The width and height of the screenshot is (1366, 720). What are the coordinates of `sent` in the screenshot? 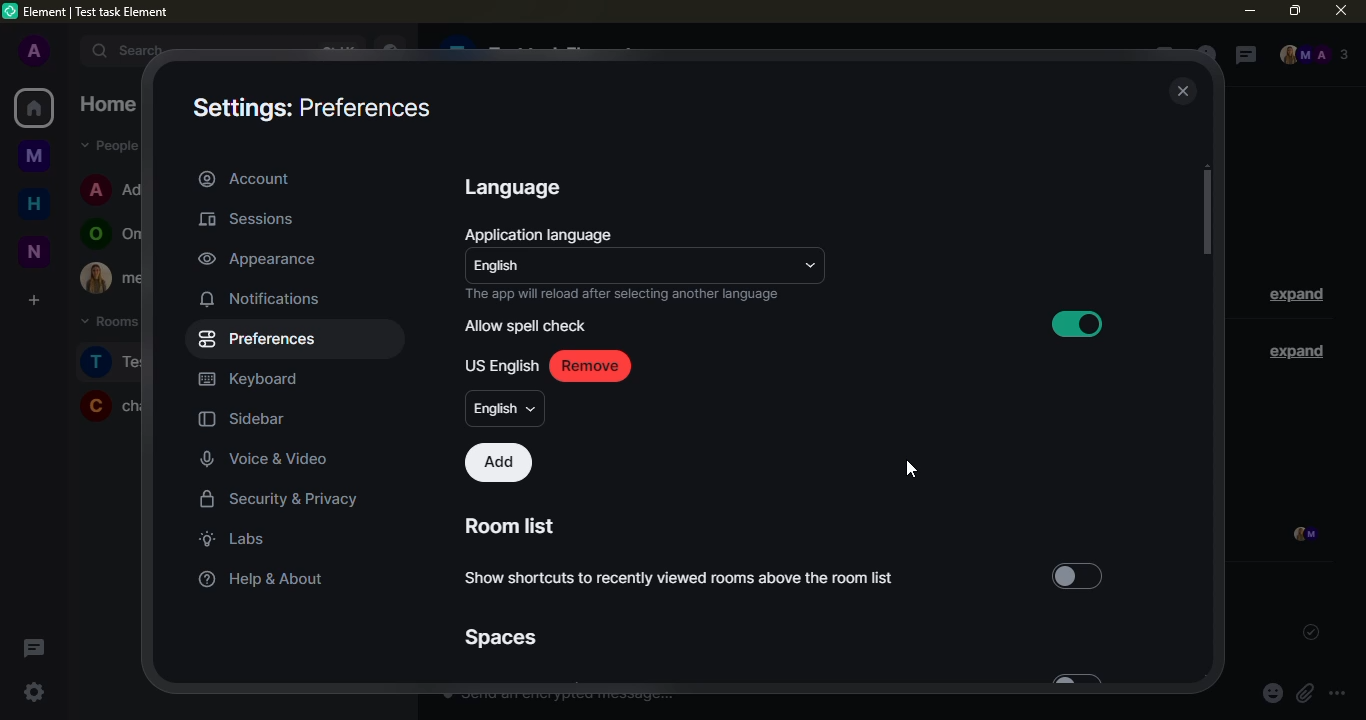 It's located at (1306, 632).